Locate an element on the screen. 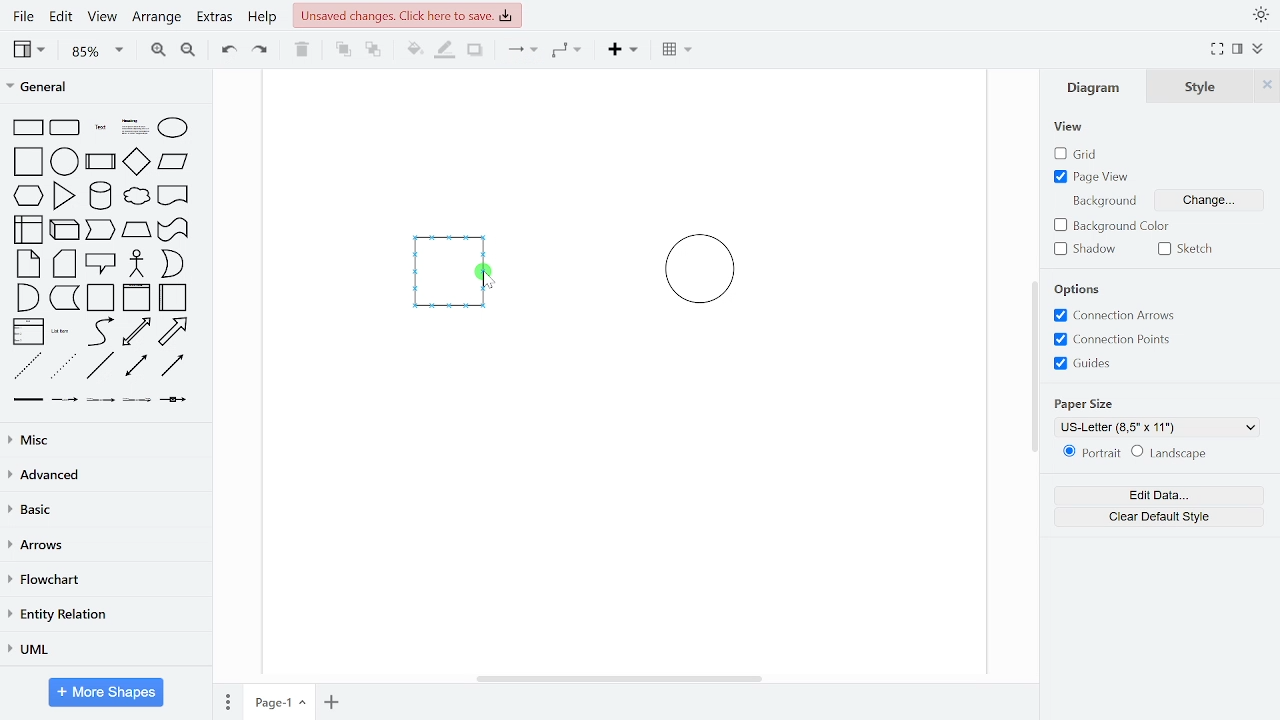  dashed line is located at coordinates (28, 367).